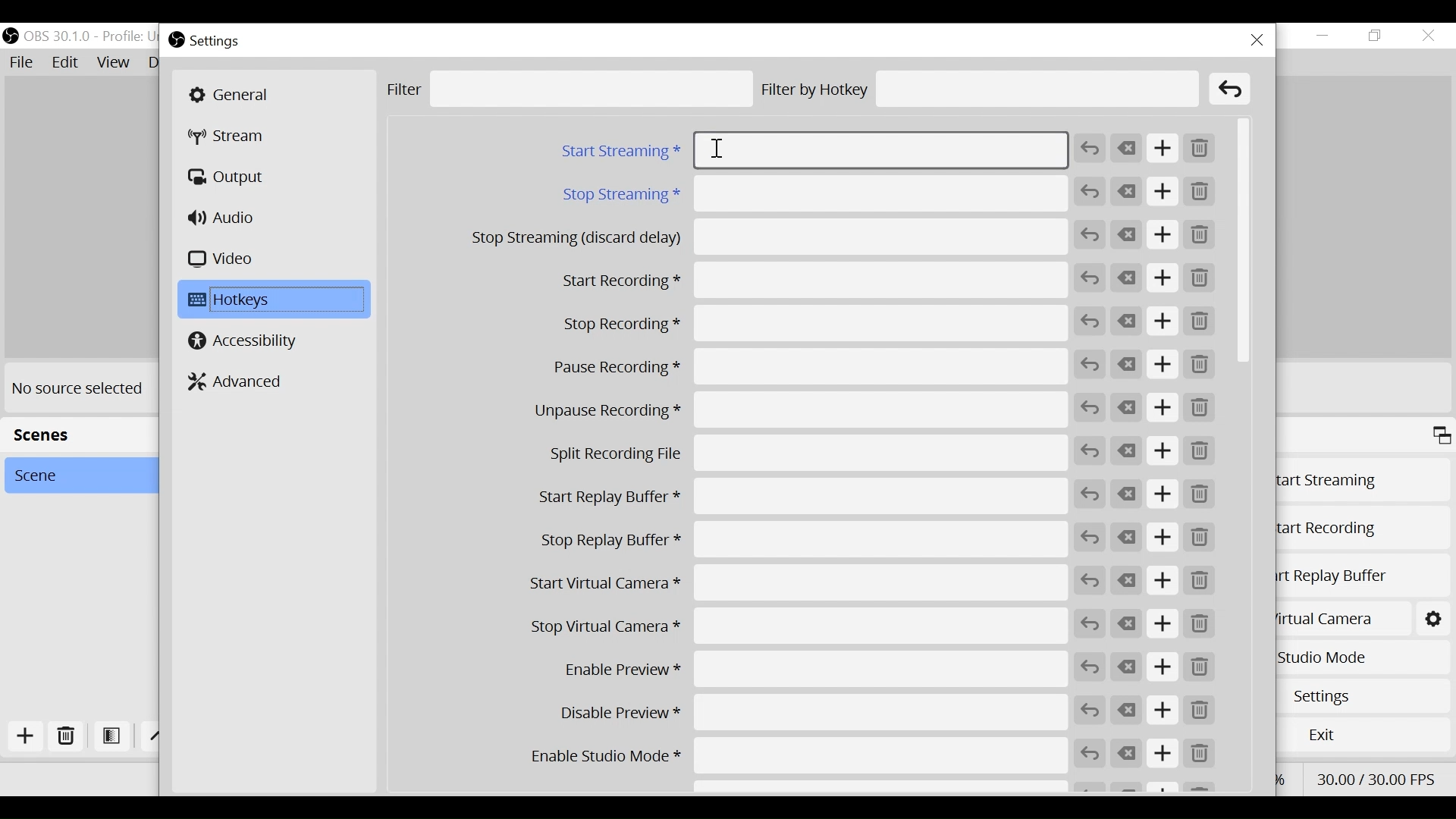  Describe the element at coordinates (1338, 620) in the screenshot. I see `Start Virtual Camera` at that location.